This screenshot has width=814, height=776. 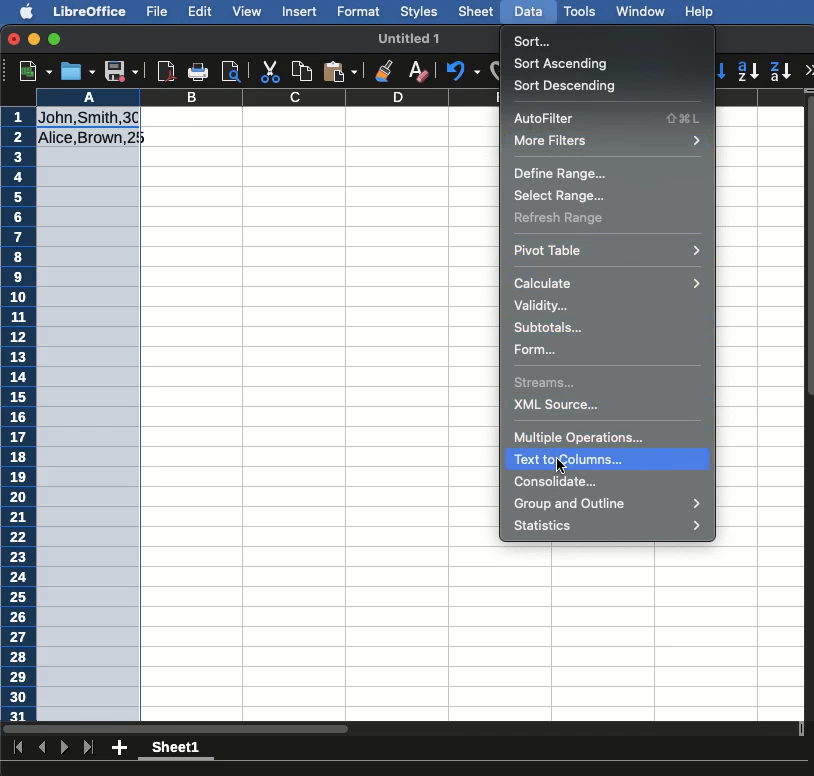 I want to click on Insert, so click(x=301, y=14).